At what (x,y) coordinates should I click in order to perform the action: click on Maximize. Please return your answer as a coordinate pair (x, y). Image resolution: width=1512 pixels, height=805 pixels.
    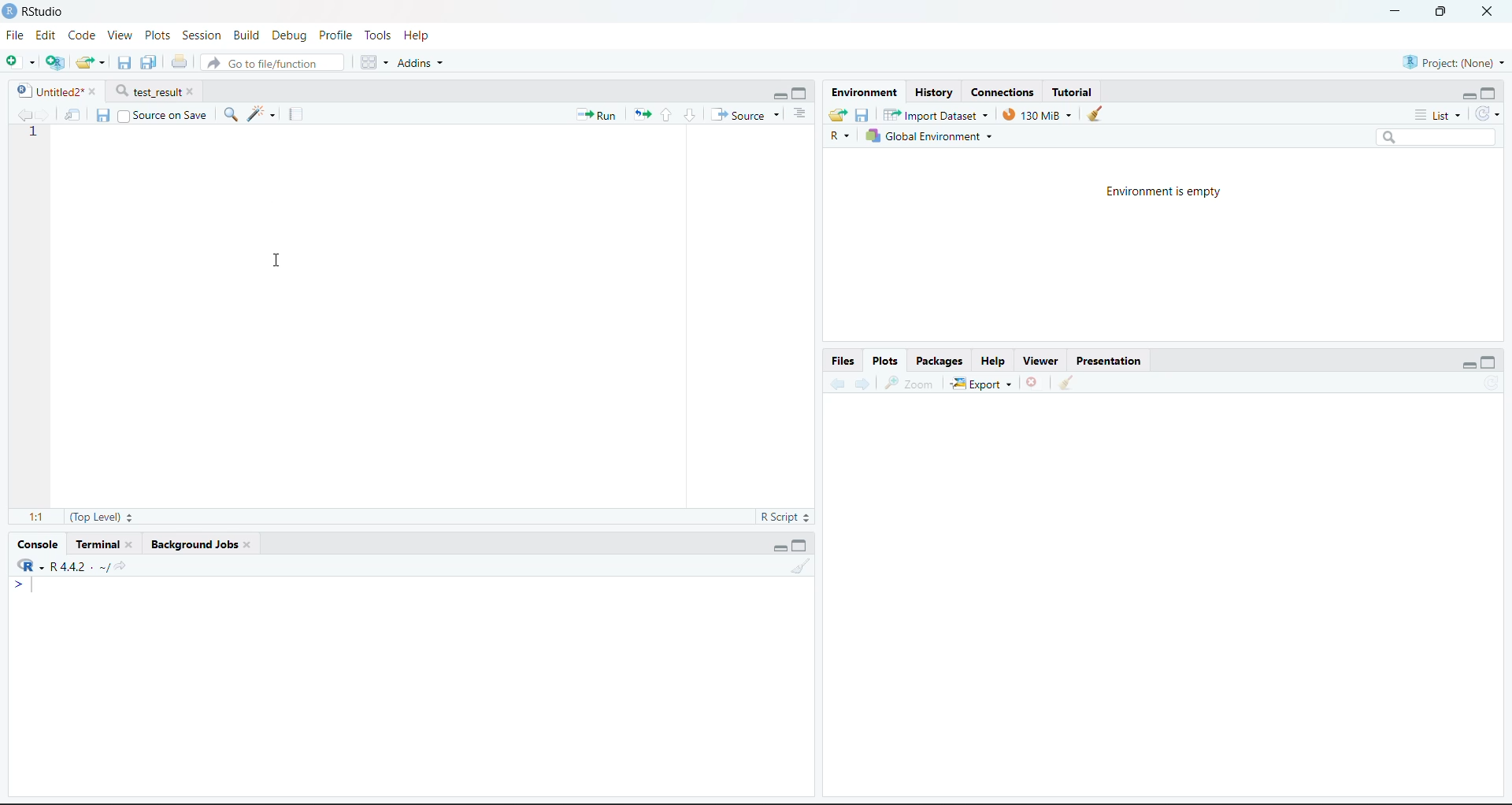
    Looking at the image, I should click on (801, 546).